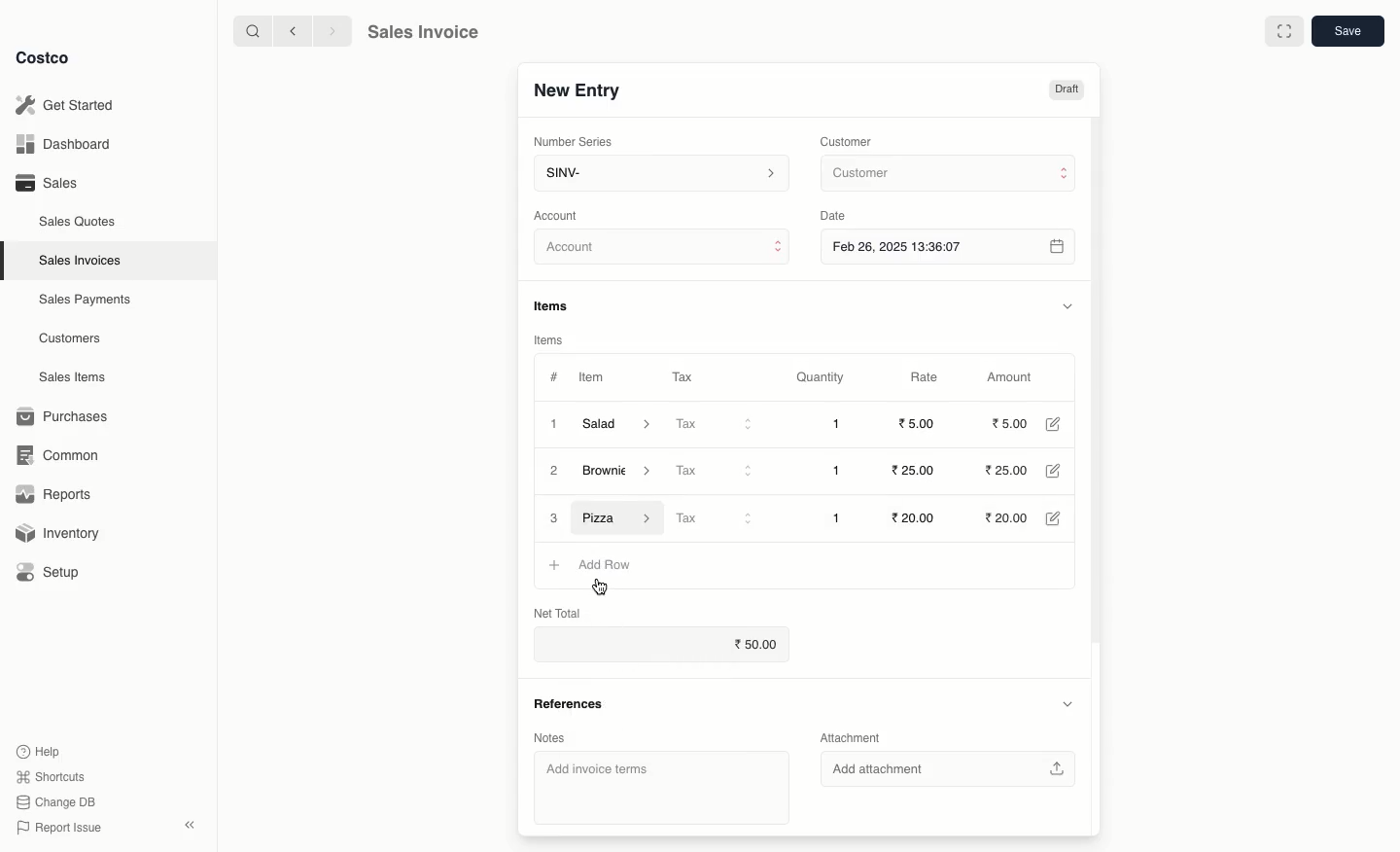  I want to click on ‘Account, so click(560, 215).